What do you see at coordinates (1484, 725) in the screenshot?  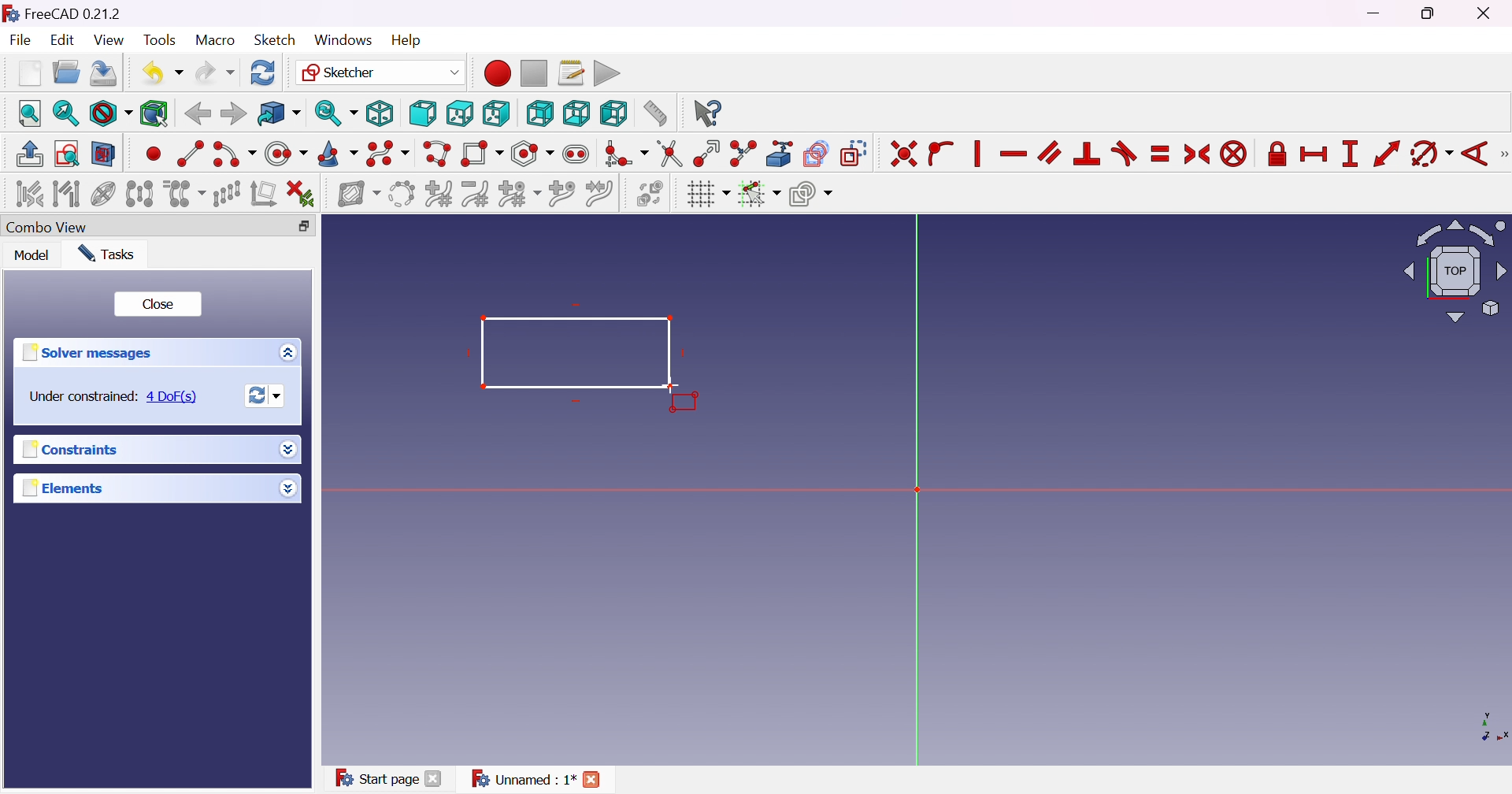 I see `x, y axis plane` at bounding box center [1484, 725].